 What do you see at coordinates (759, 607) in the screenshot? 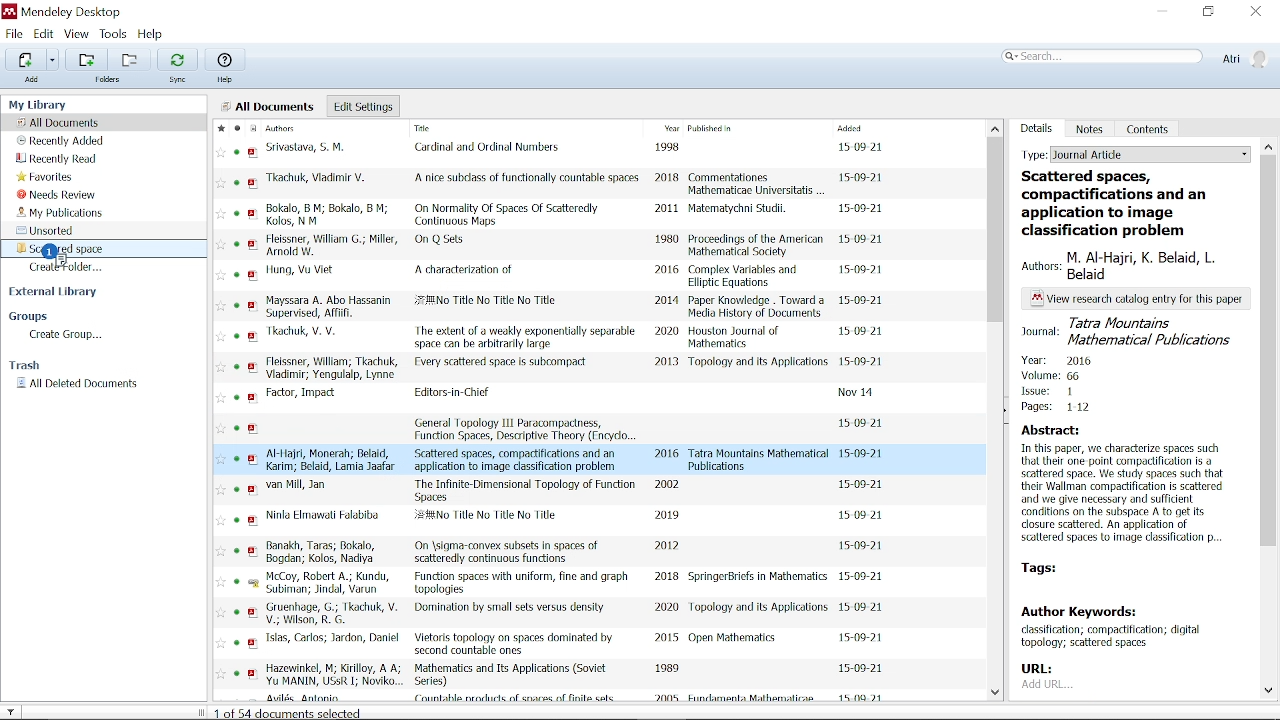
I see `Topology and its Applications` at bounding box center [759, 607].